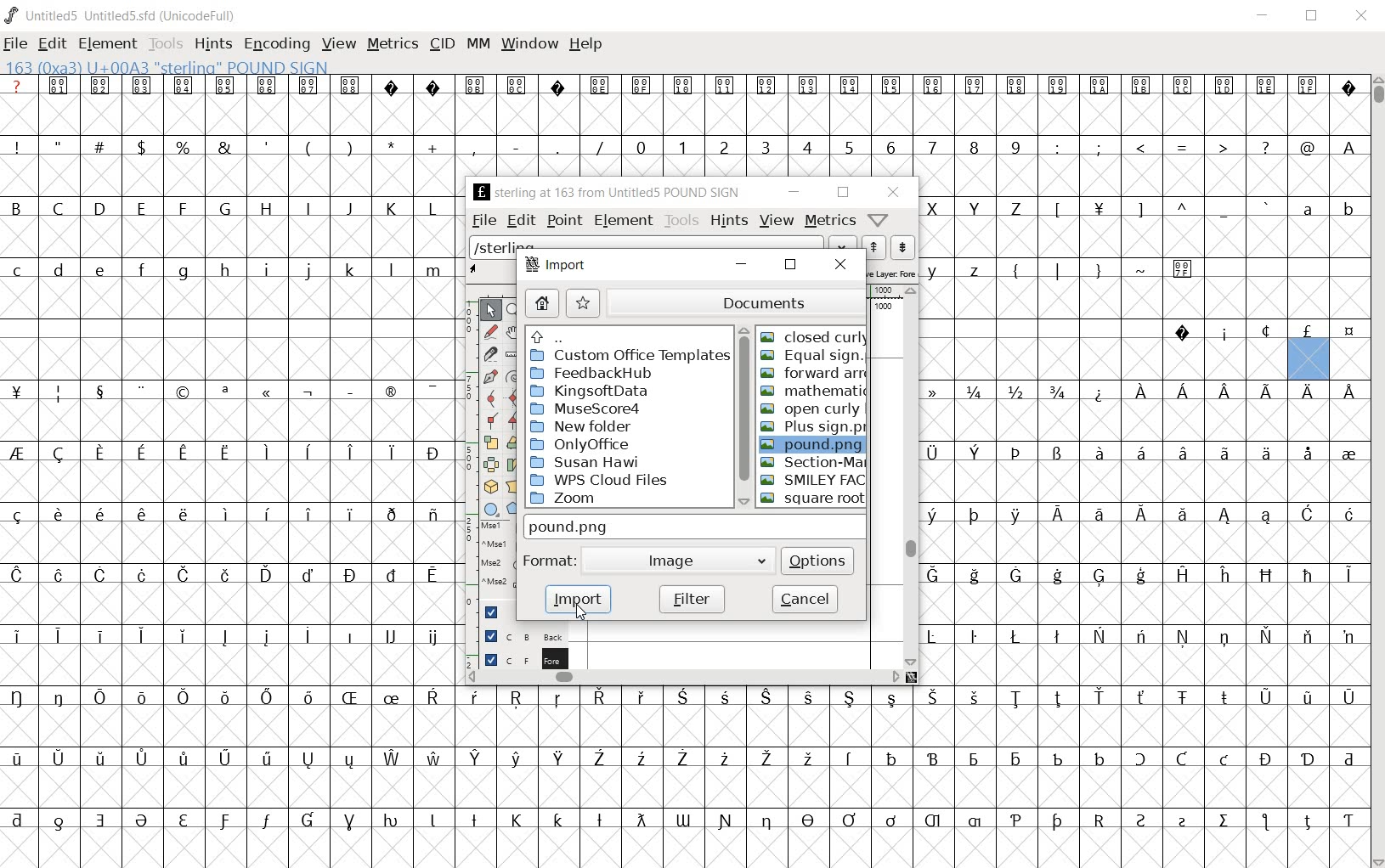 The height and width of the screenshot is (868, 1385). I want to click on Symbol, so click(1096, 454).